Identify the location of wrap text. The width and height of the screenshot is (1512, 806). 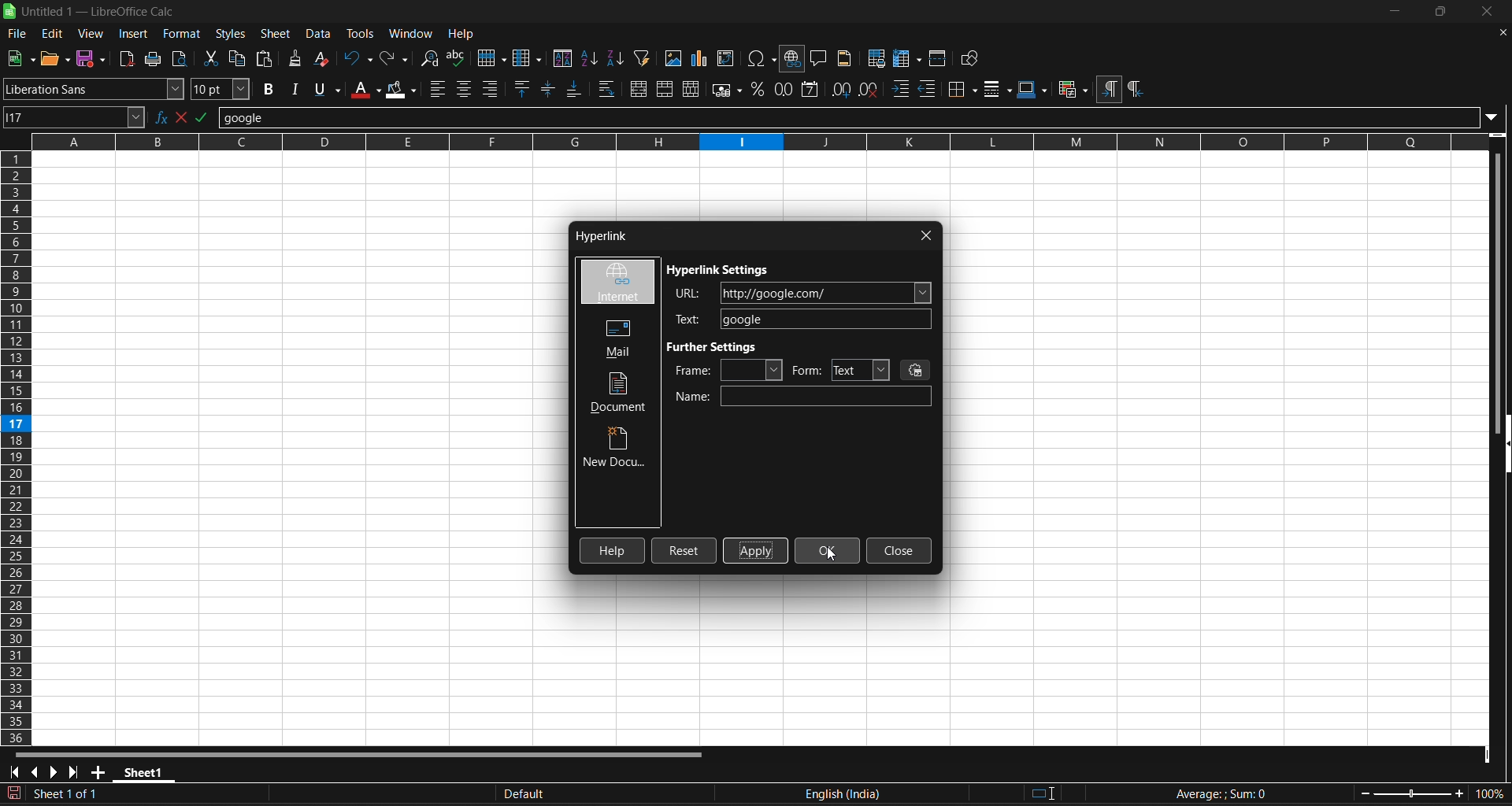
(608, 89).